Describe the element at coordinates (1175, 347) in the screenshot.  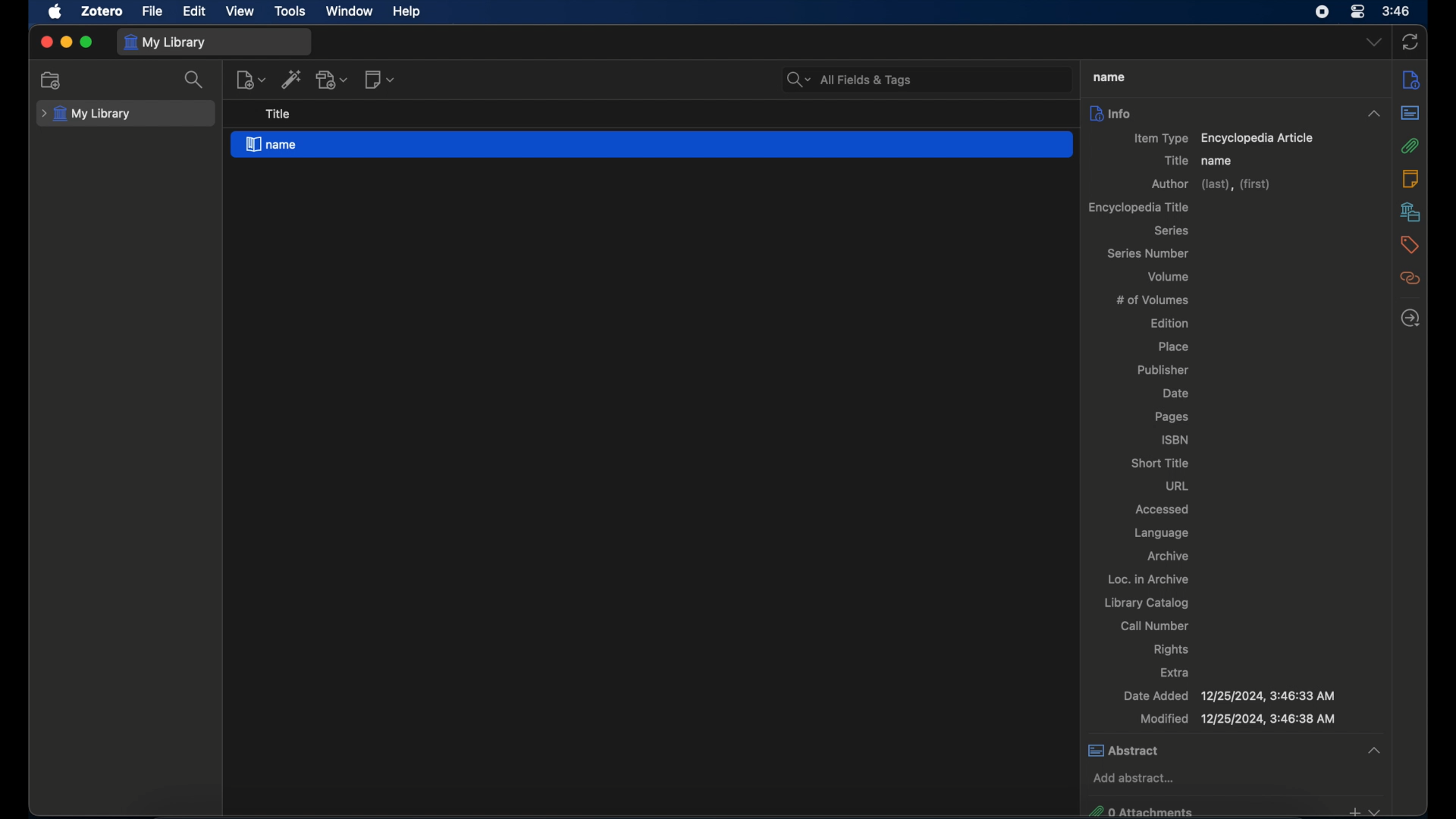
I see `place` at that location.